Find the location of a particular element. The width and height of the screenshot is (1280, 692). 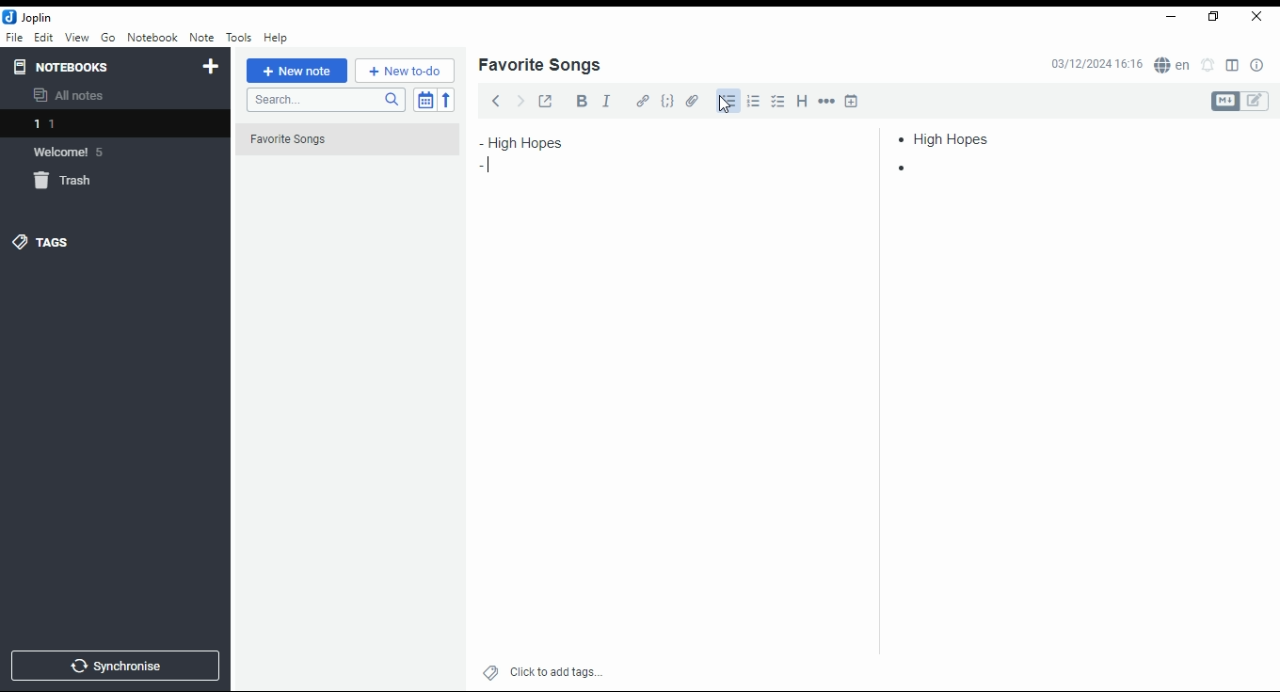

bullets is located at coordinates (728, 102).